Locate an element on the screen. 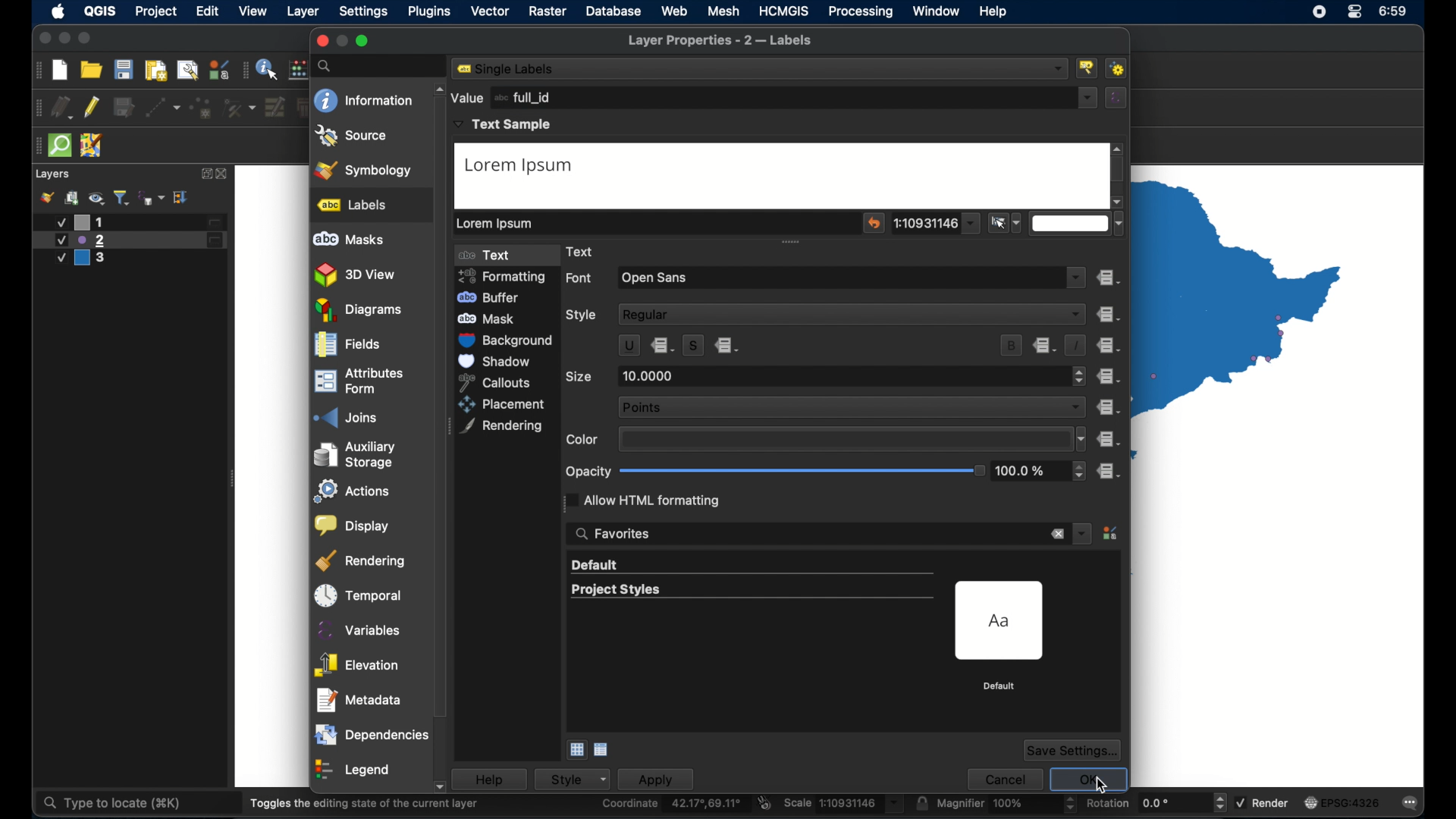 The width and height of the screenshot is (1456, 819). vector is located at coordinates (489, 11).